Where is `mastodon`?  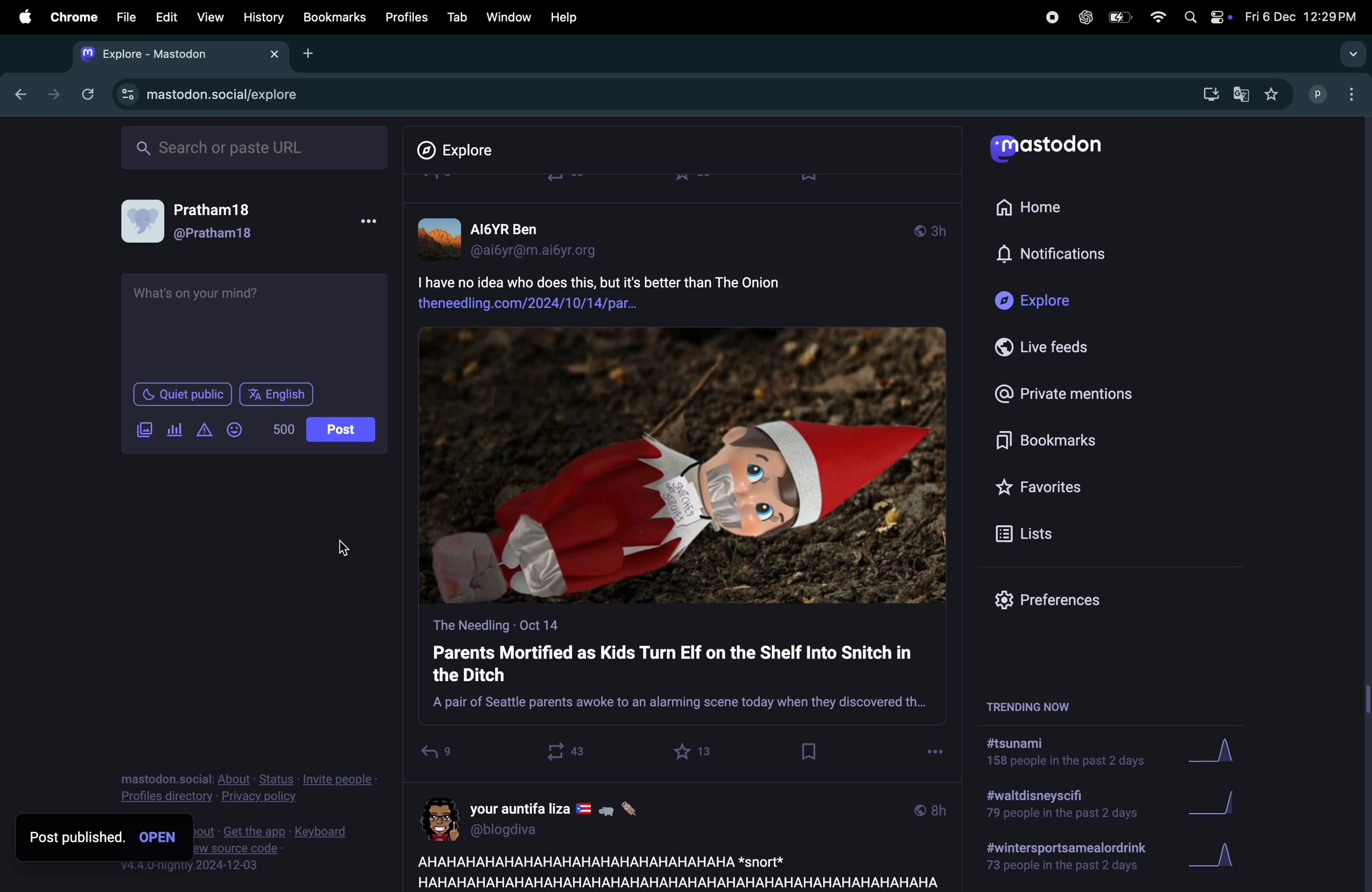
mastodon is located at coordinates (1051, 150).